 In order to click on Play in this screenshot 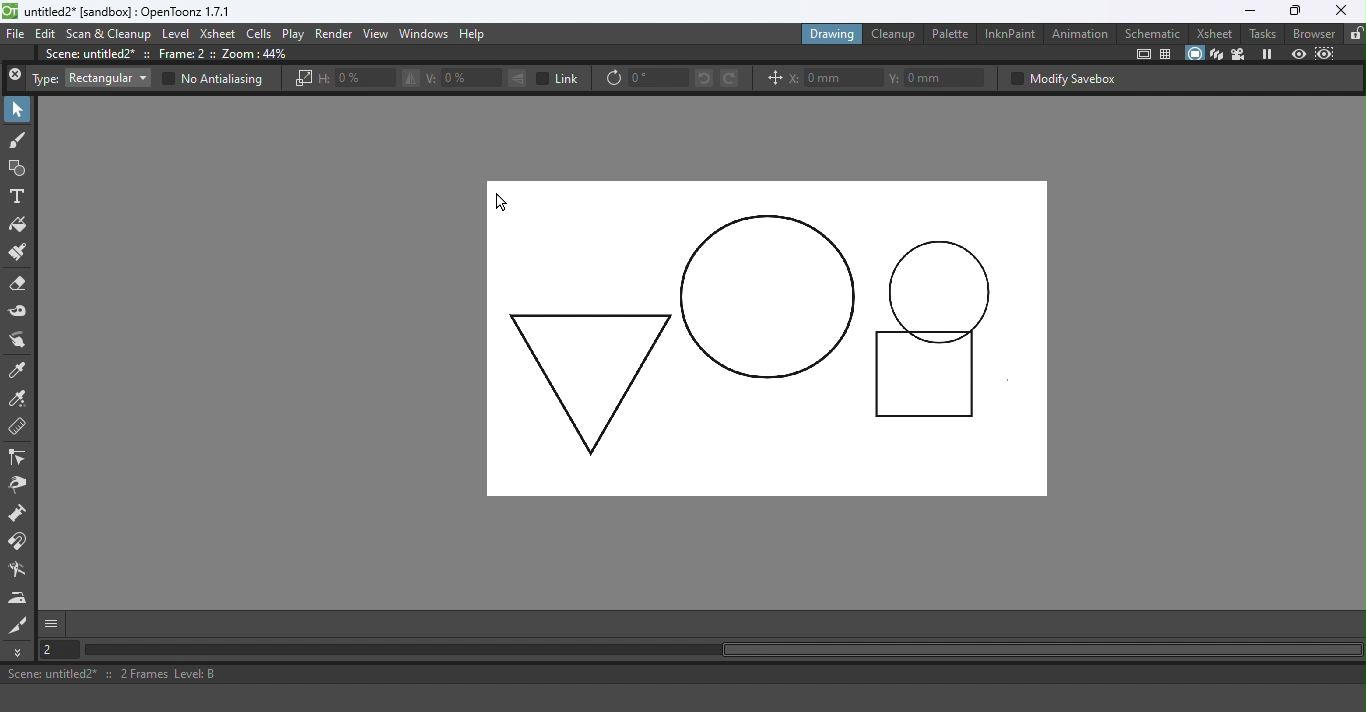, I will do `click(294, 34)`.